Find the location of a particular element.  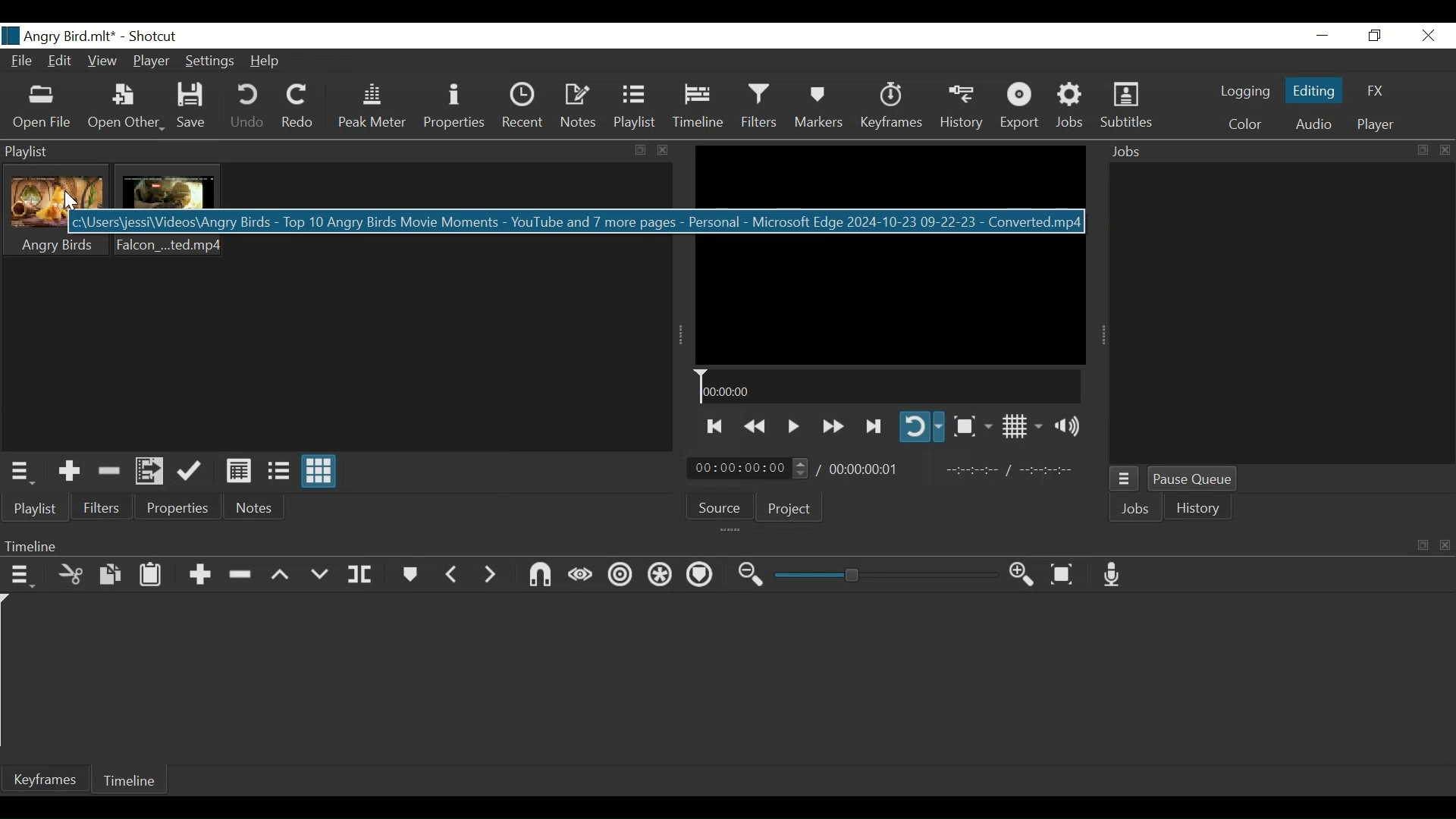

Record audio is located at coordinates (1112, 576).